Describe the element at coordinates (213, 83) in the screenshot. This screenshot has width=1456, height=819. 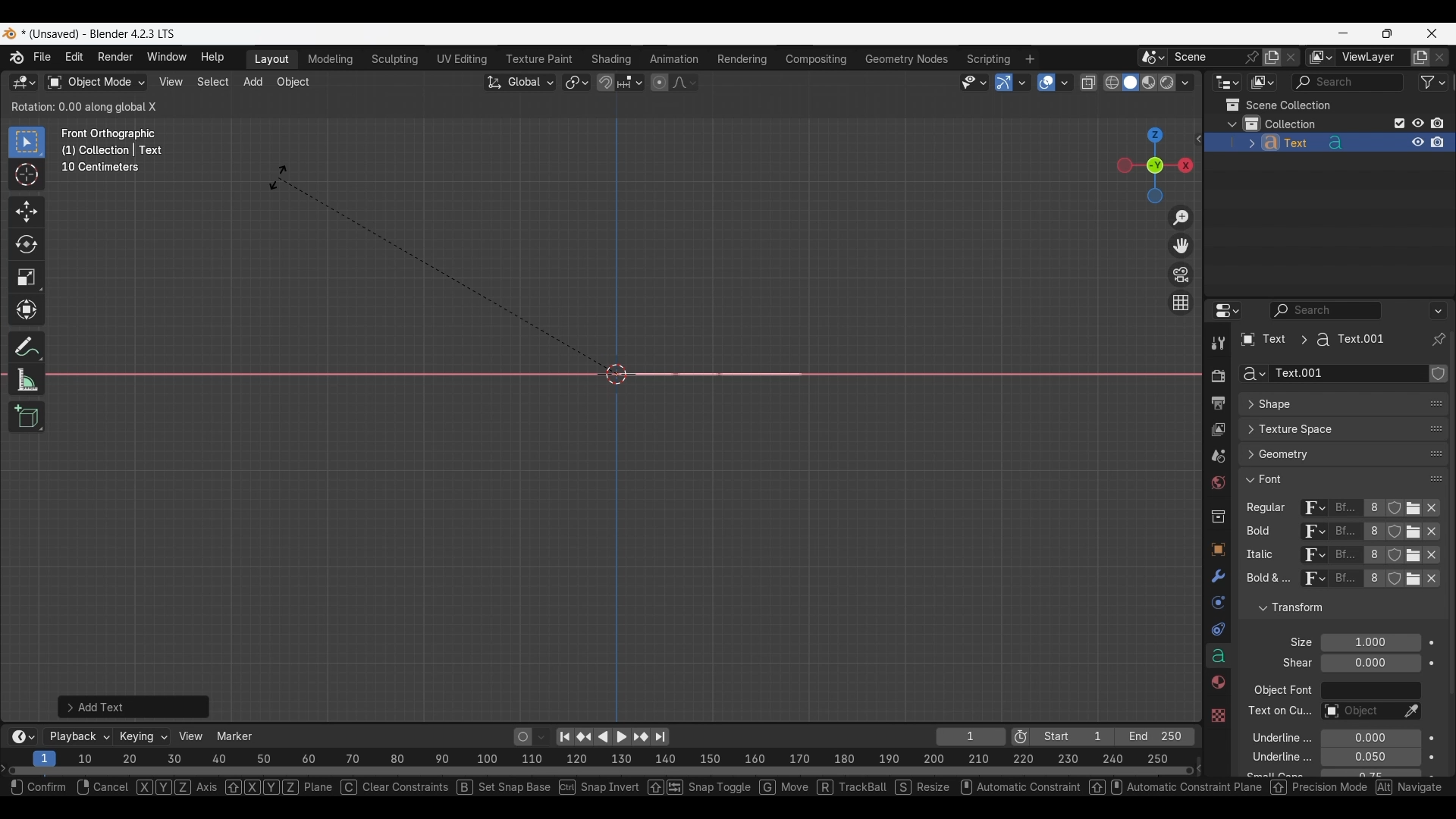
I see `Select menu` at that location.